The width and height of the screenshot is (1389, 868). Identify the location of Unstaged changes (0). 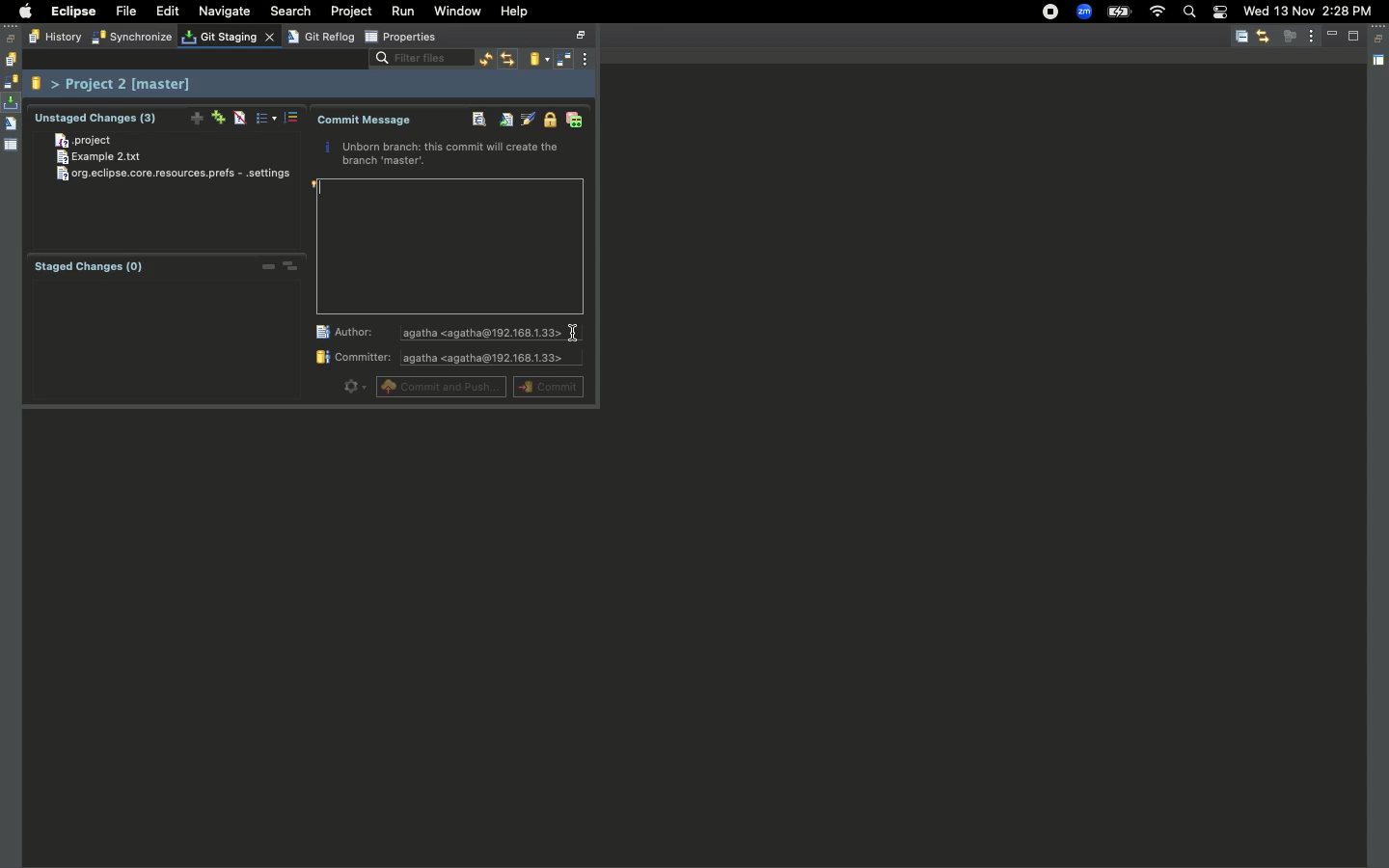
(97, 118).